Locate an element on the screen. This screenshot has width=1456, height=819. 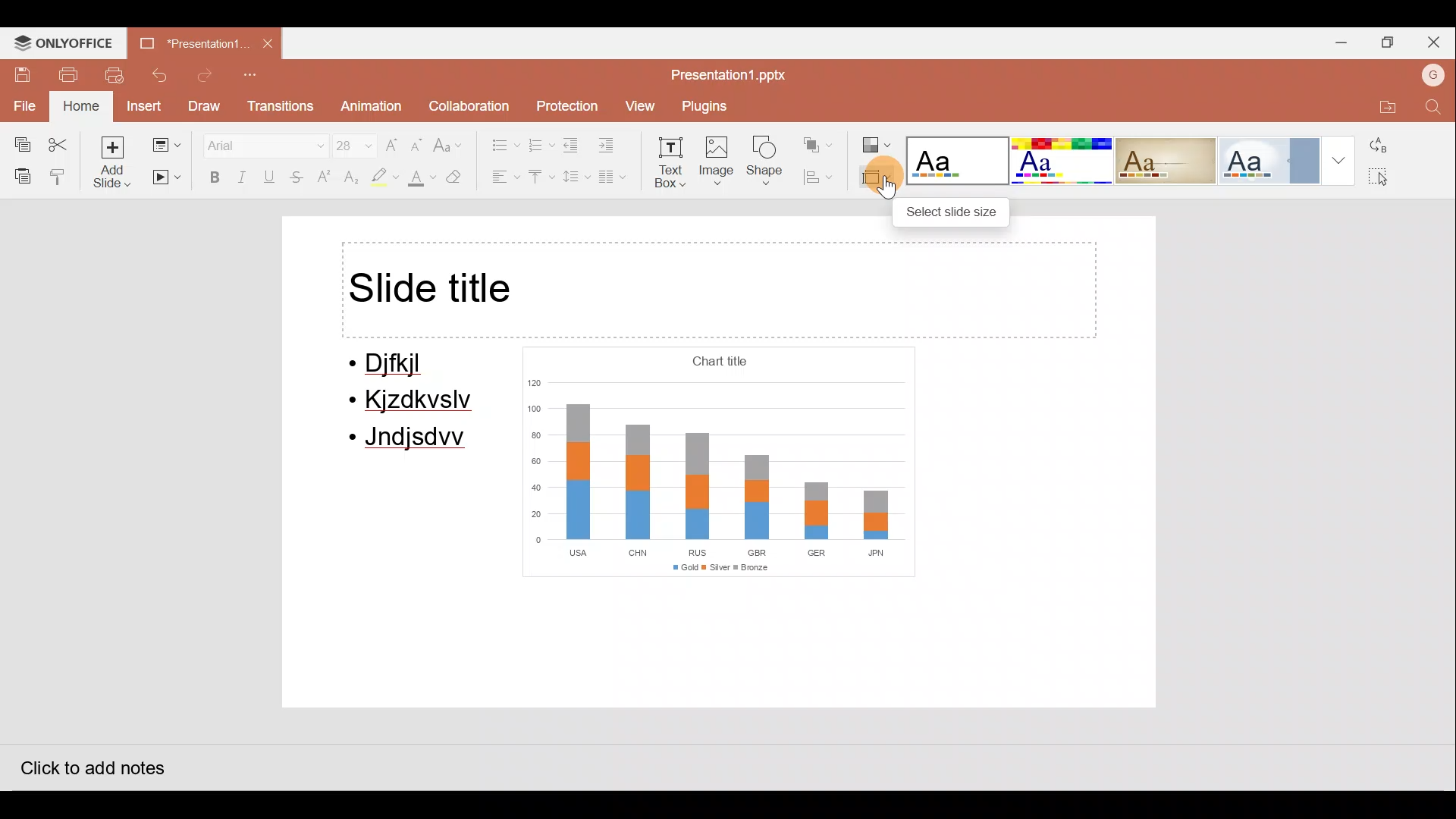
Copy is located at coordinates (17, 141).